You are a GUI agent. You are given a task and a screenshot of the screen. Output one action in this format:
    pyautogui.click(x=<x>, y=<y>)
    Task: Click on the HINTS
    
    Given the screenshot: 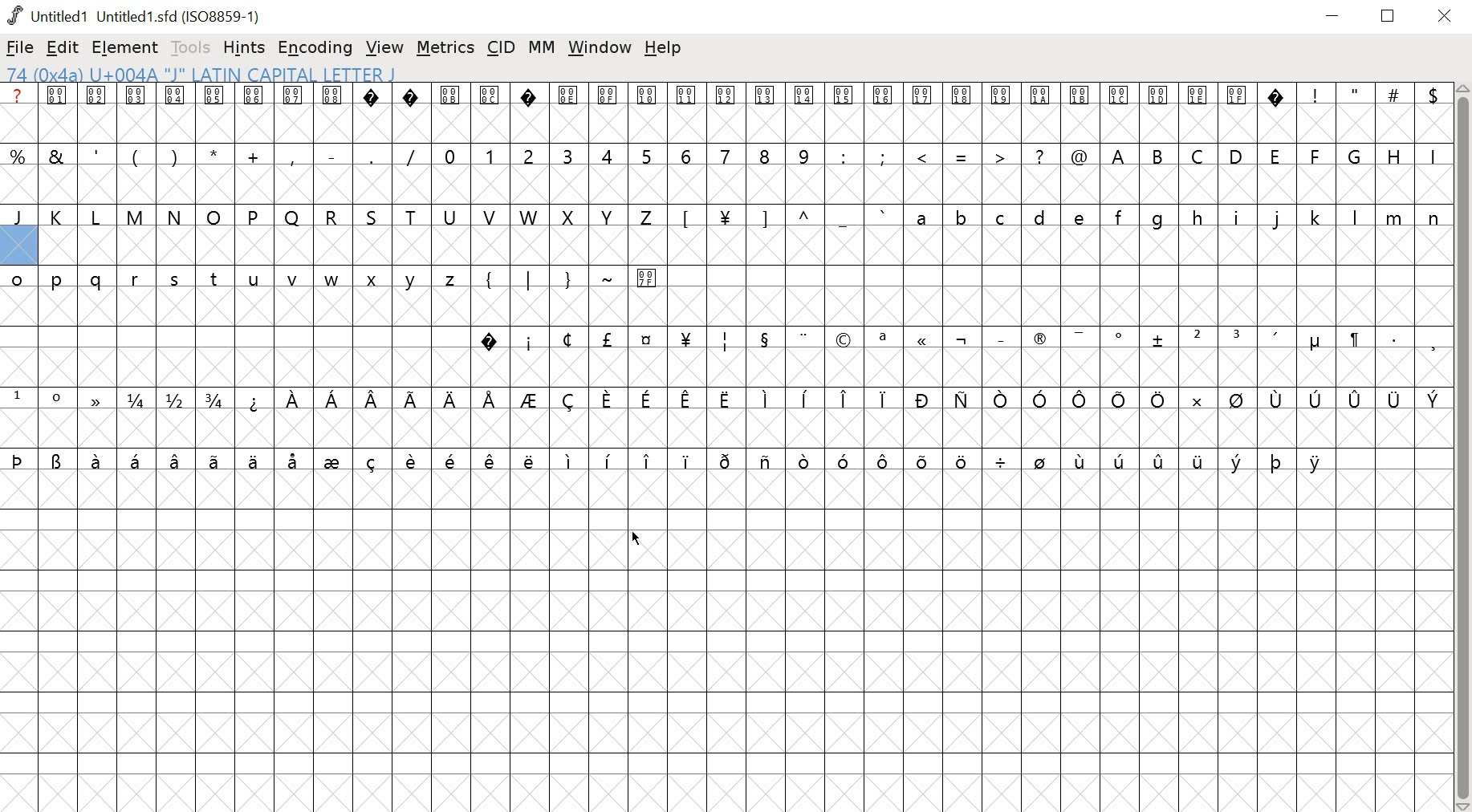 What is the action you would take?
    pyautogui.click(x=246, y=49)
    